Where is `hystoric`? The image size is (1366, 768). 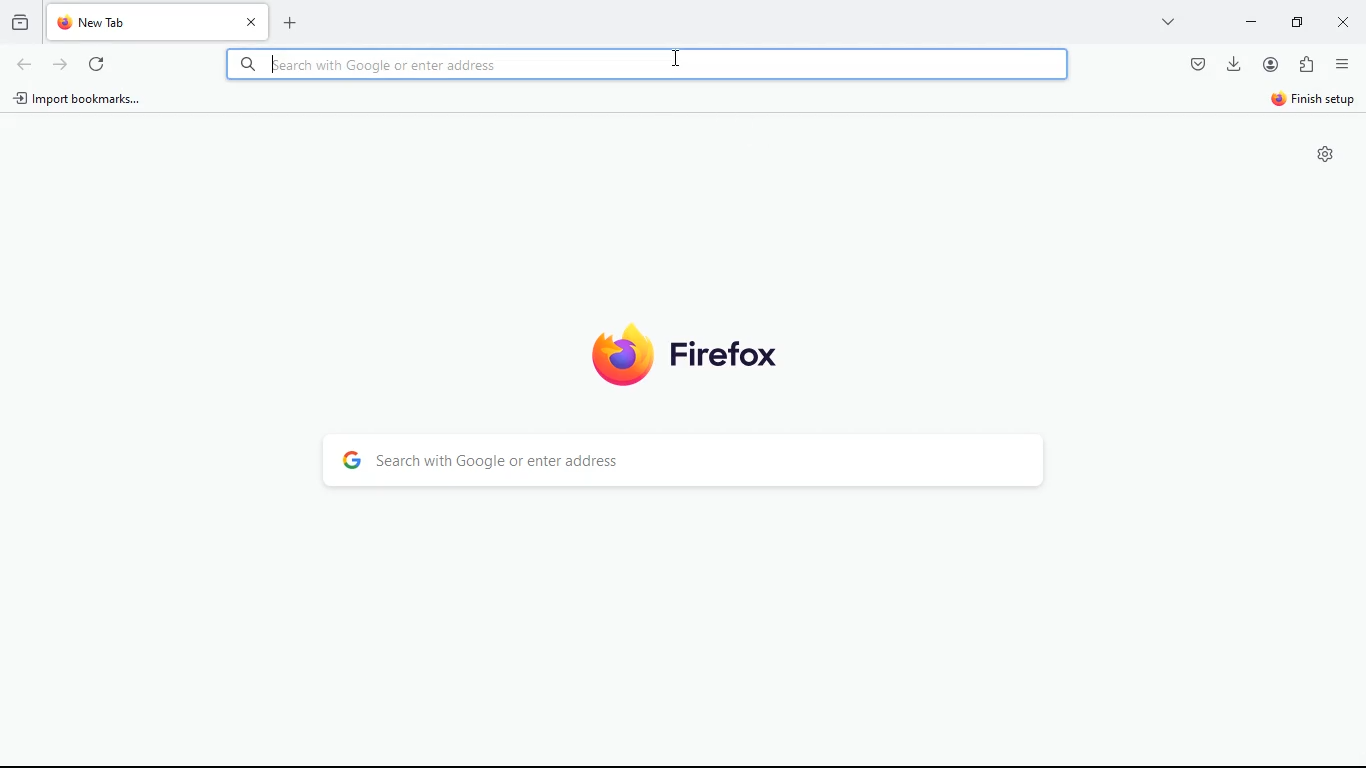
hystoric is located at coordinates (22, 20).